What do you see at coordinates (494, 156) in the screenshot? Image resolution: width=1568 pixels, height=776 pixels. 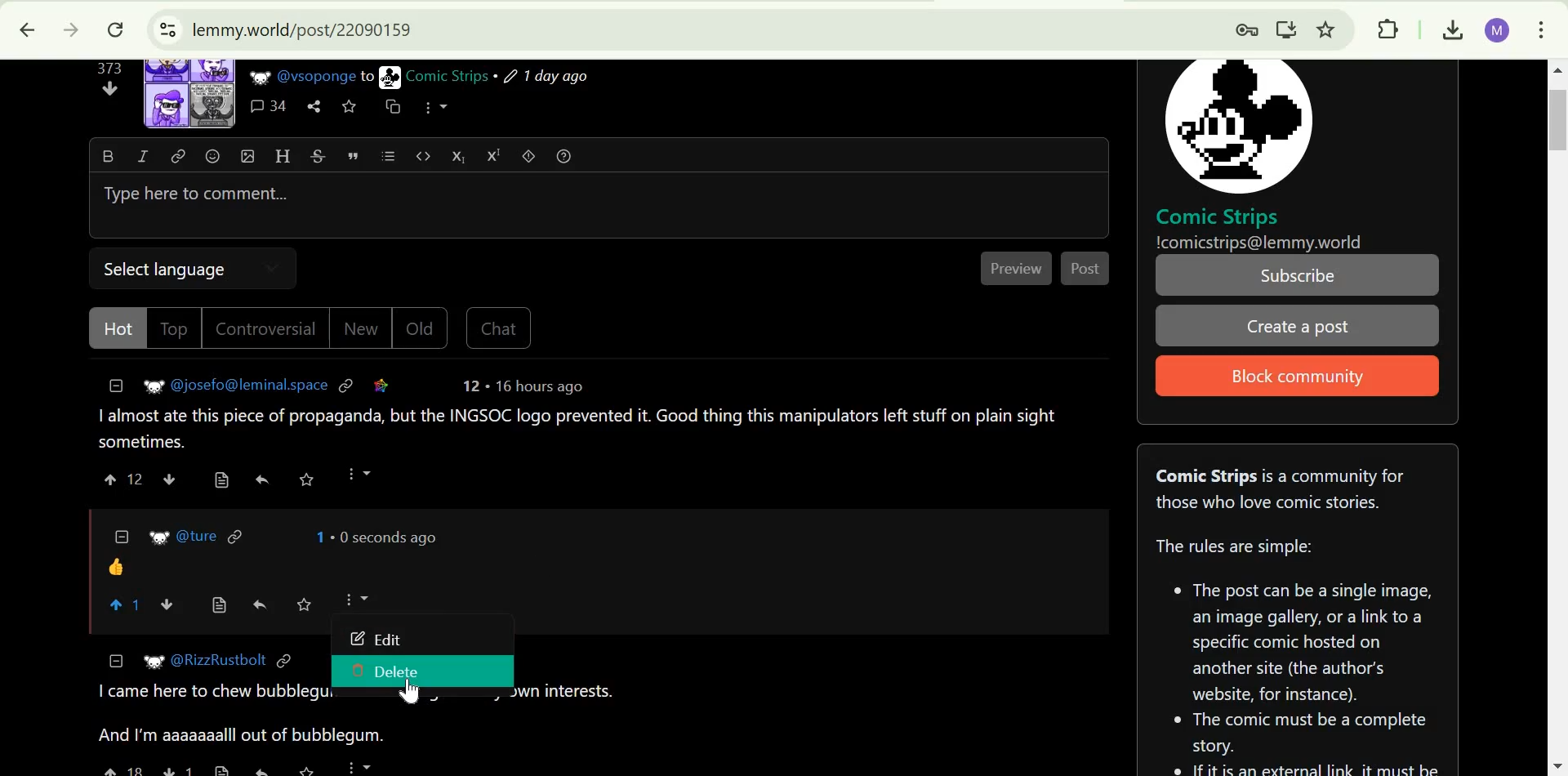 I see `superscript` at bounding box center [494, 156].